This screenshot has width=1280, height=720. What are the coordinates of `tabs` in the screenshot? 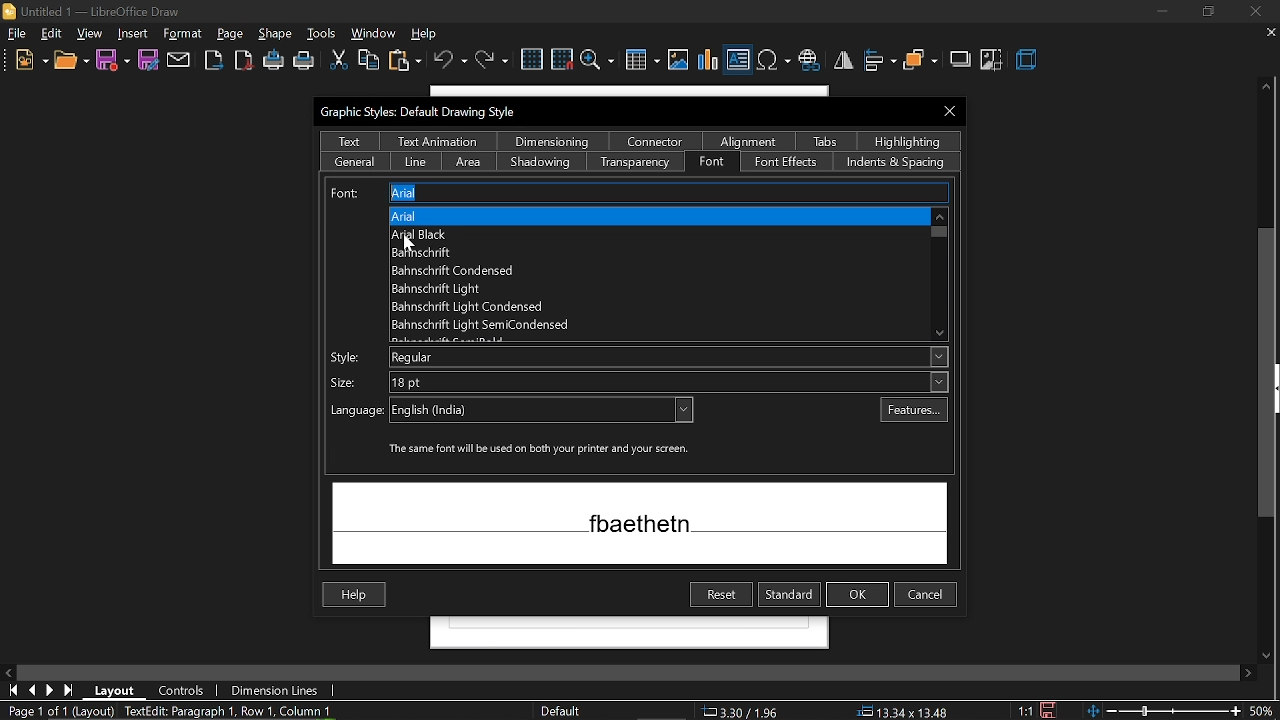 It's located at (825, 141).